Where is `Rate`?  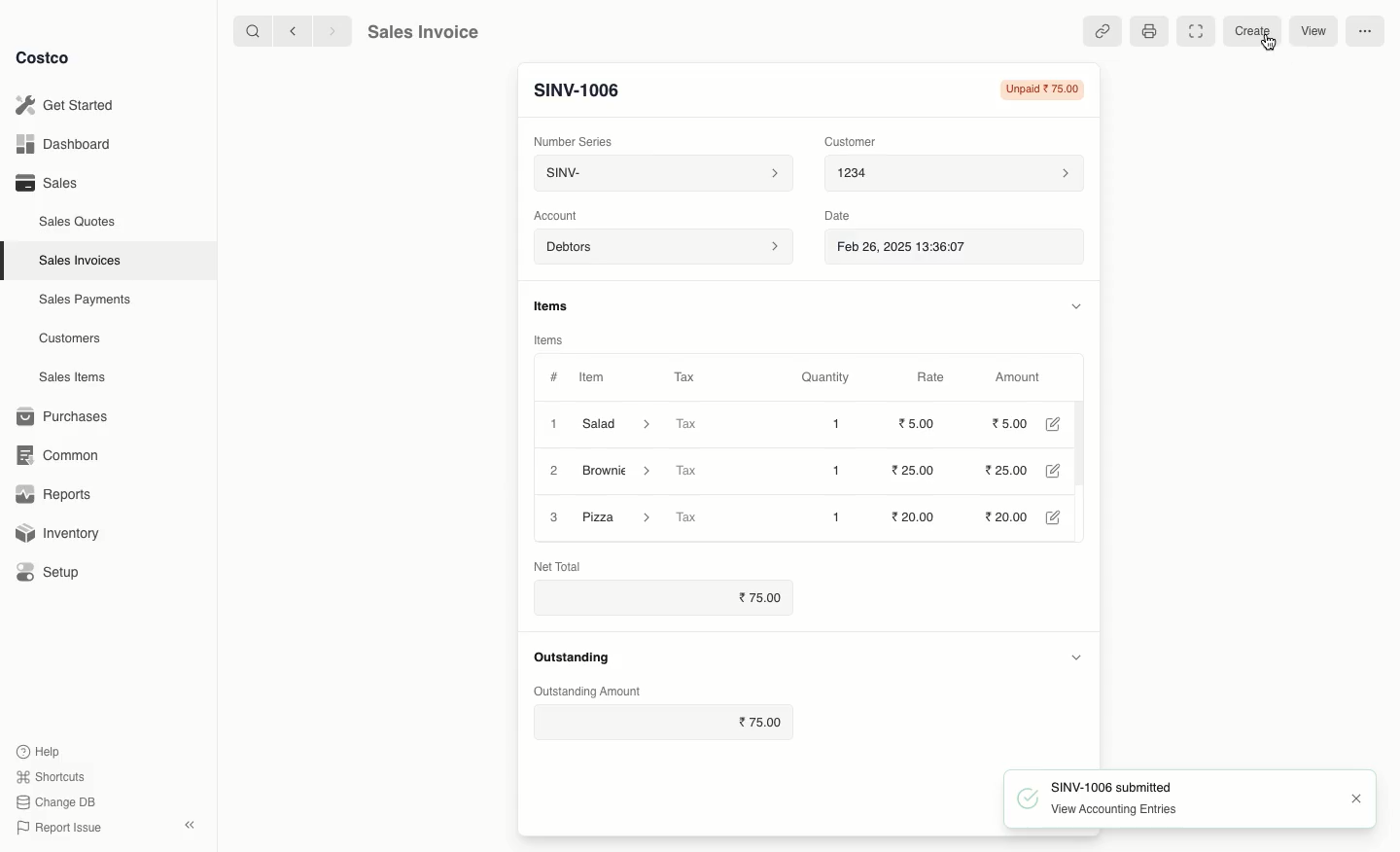 Rate is located at coordinates (927, 377).